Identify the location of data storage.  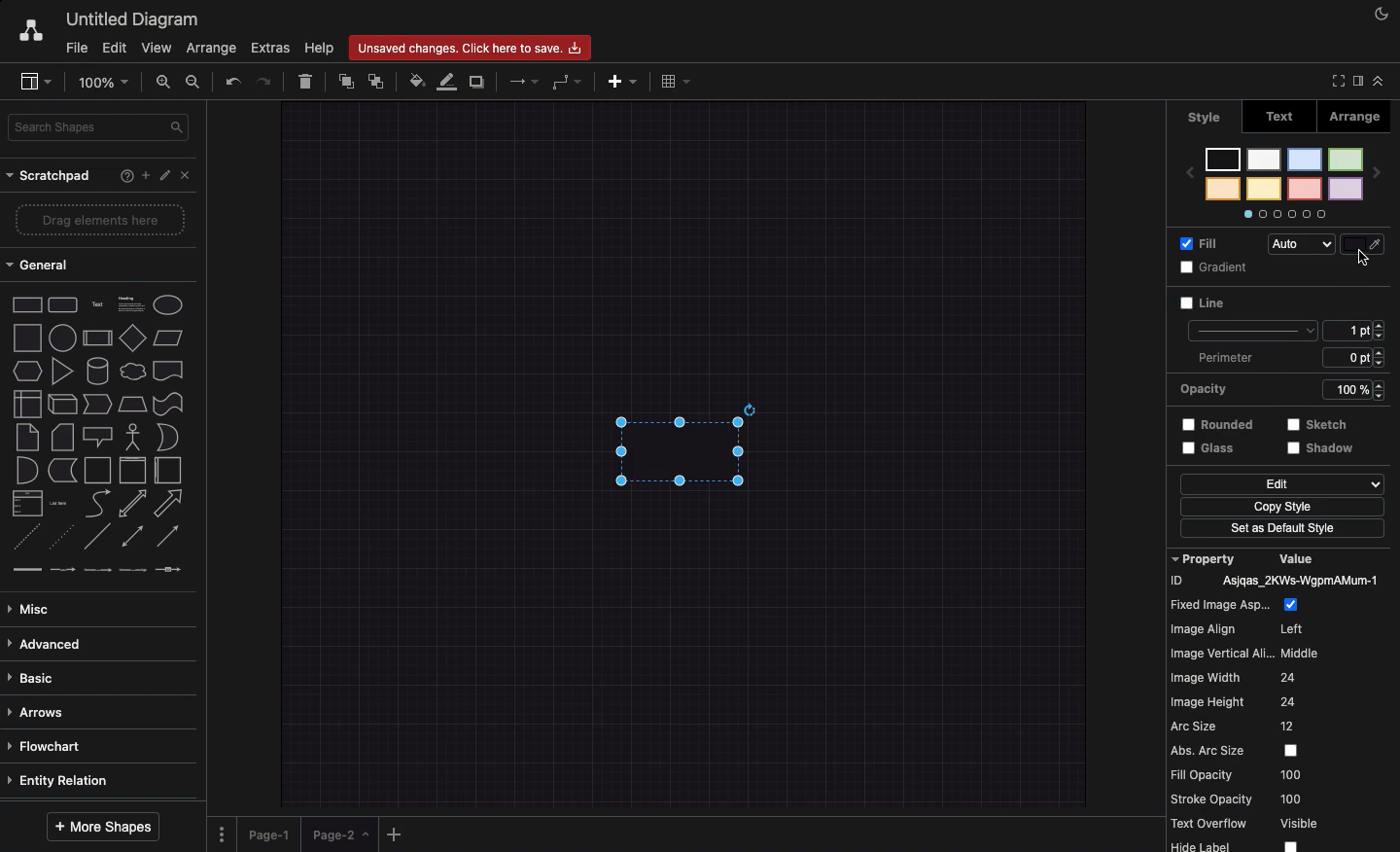
(61, 470).